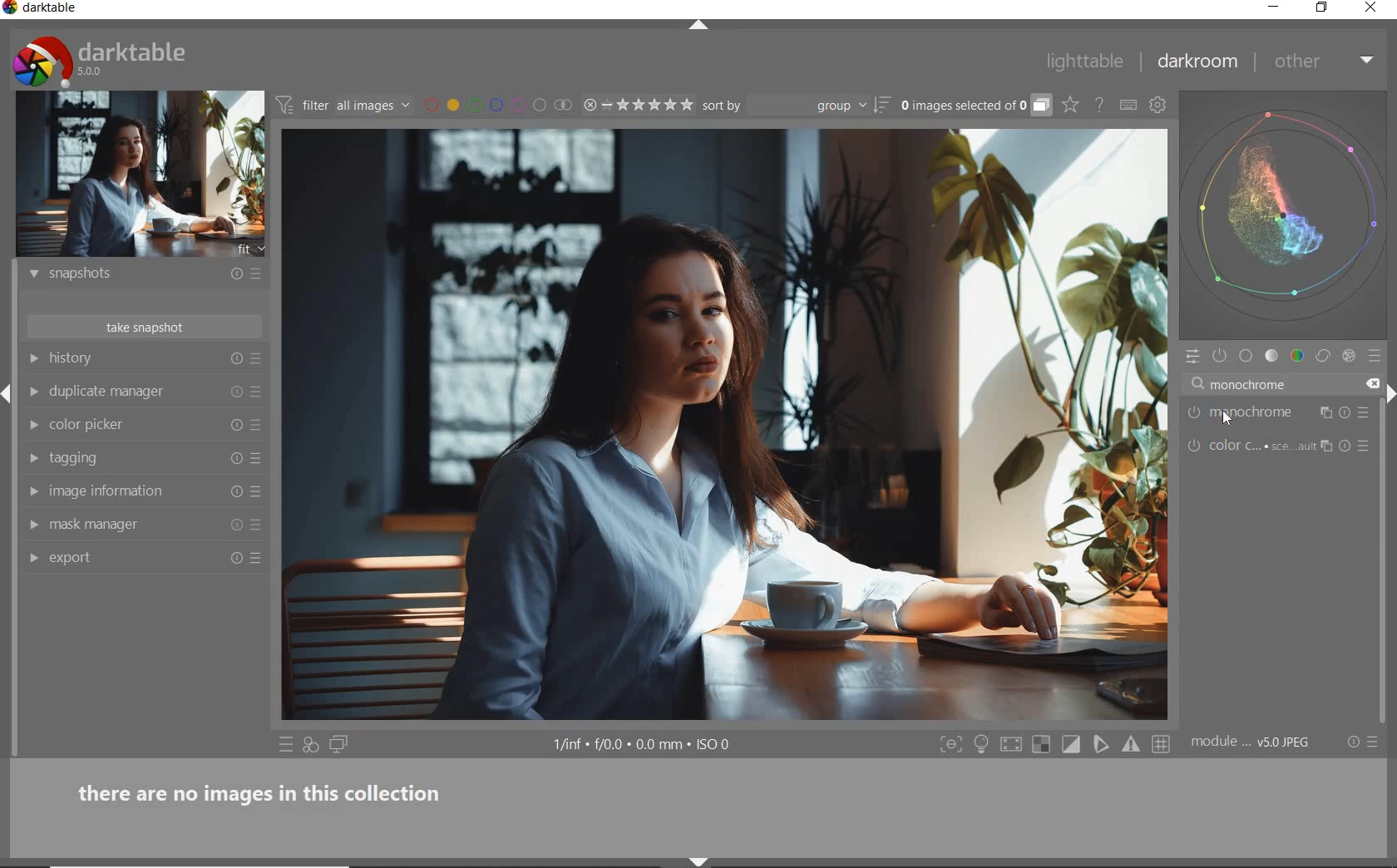  I want to click on reset, so click(234, 560).